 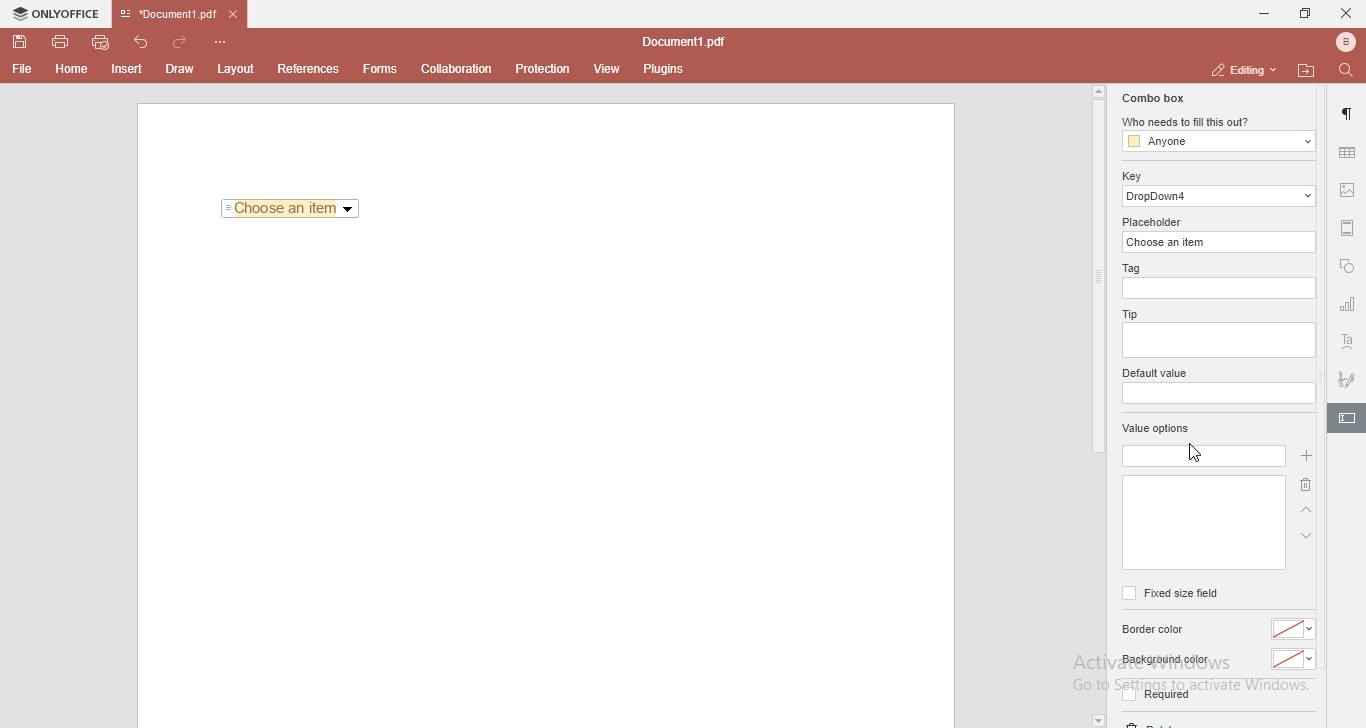 What do you see at coordinates (73, 72) in the screenshot?
I see `Home` at bounding box center [73, 72].